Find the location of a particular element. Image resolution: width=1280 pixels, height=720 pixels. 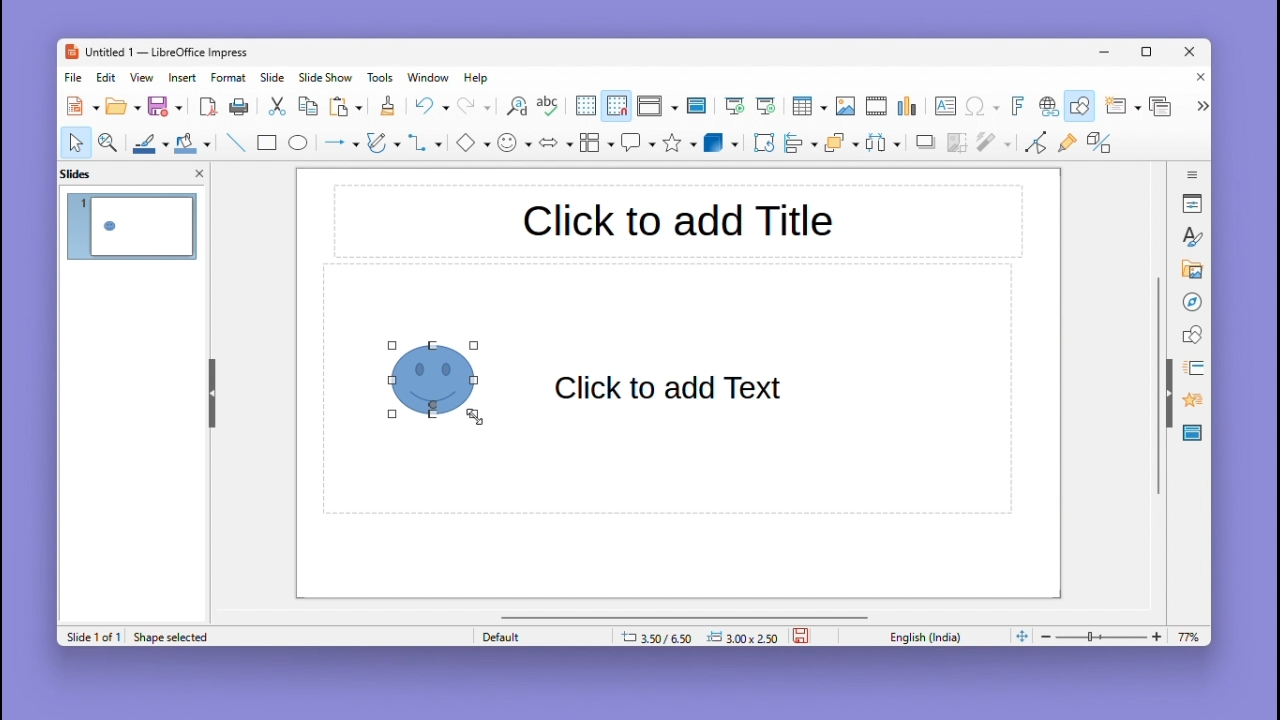

Shadow is located at coordinates (926, 146).